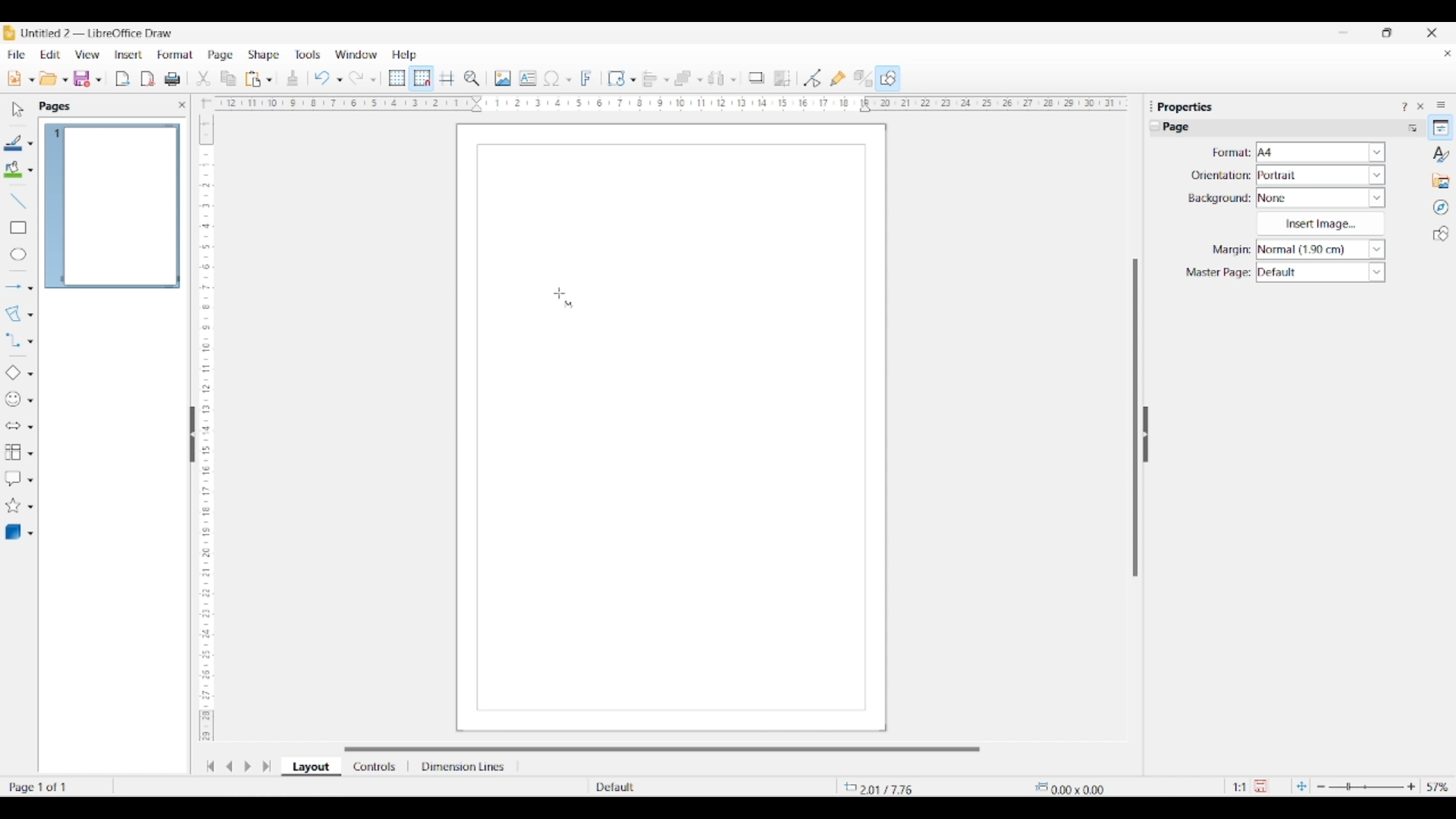  I want to click on Ellipse, so click(18, 254).